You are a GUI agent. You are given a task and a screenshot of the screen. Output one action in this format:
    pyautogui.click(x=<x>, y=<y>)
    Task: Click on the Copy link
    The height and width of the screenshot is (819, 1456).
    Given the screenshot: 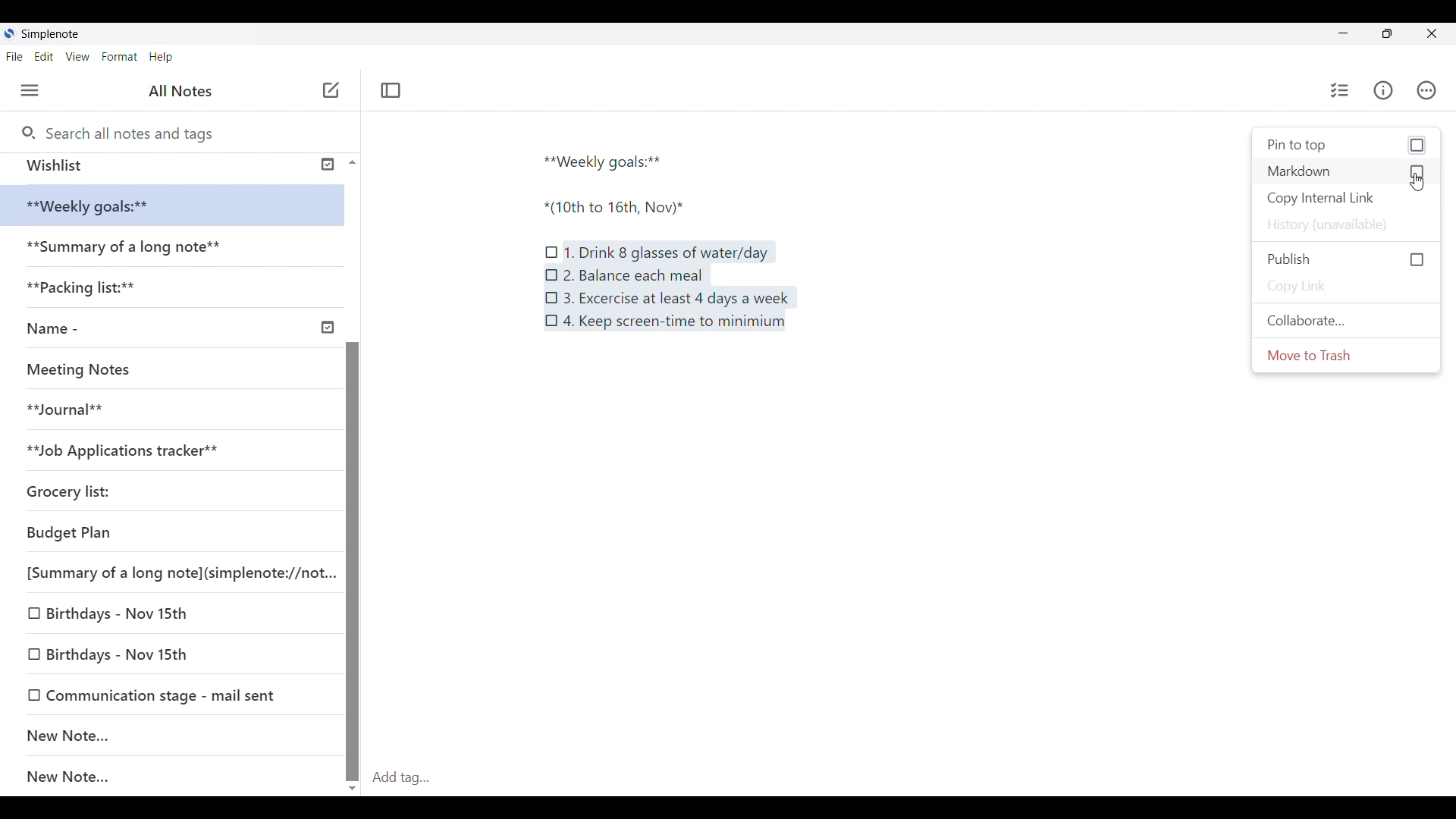 What is the action you would take?
    pyautogui.click(x=1301, y=286)
    